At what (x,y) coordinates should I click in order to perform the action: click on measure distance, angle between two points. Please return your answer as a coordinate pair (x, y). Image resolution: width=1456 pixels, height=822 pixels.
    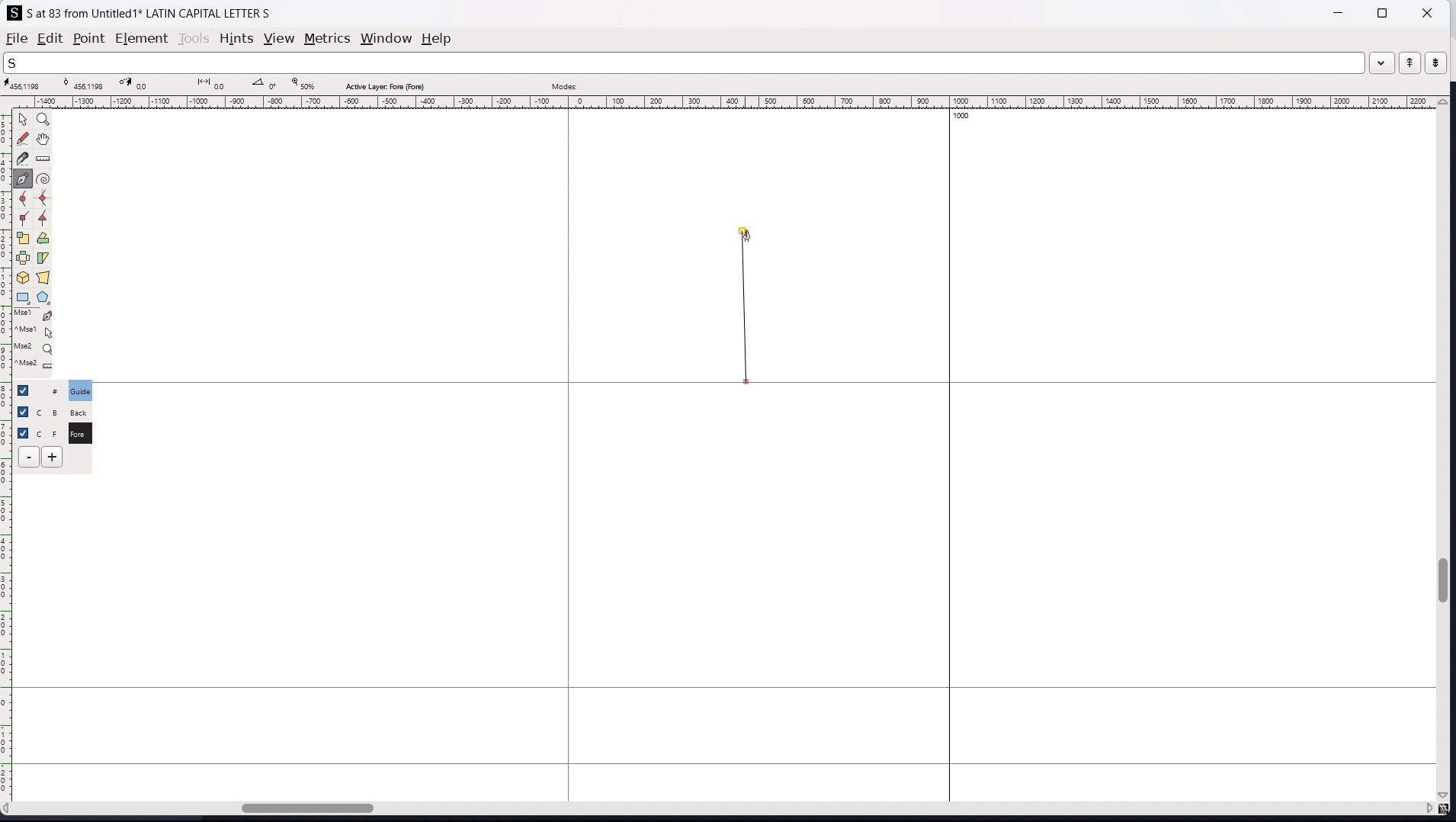
    Looking at the image, I should click on (43, 159).